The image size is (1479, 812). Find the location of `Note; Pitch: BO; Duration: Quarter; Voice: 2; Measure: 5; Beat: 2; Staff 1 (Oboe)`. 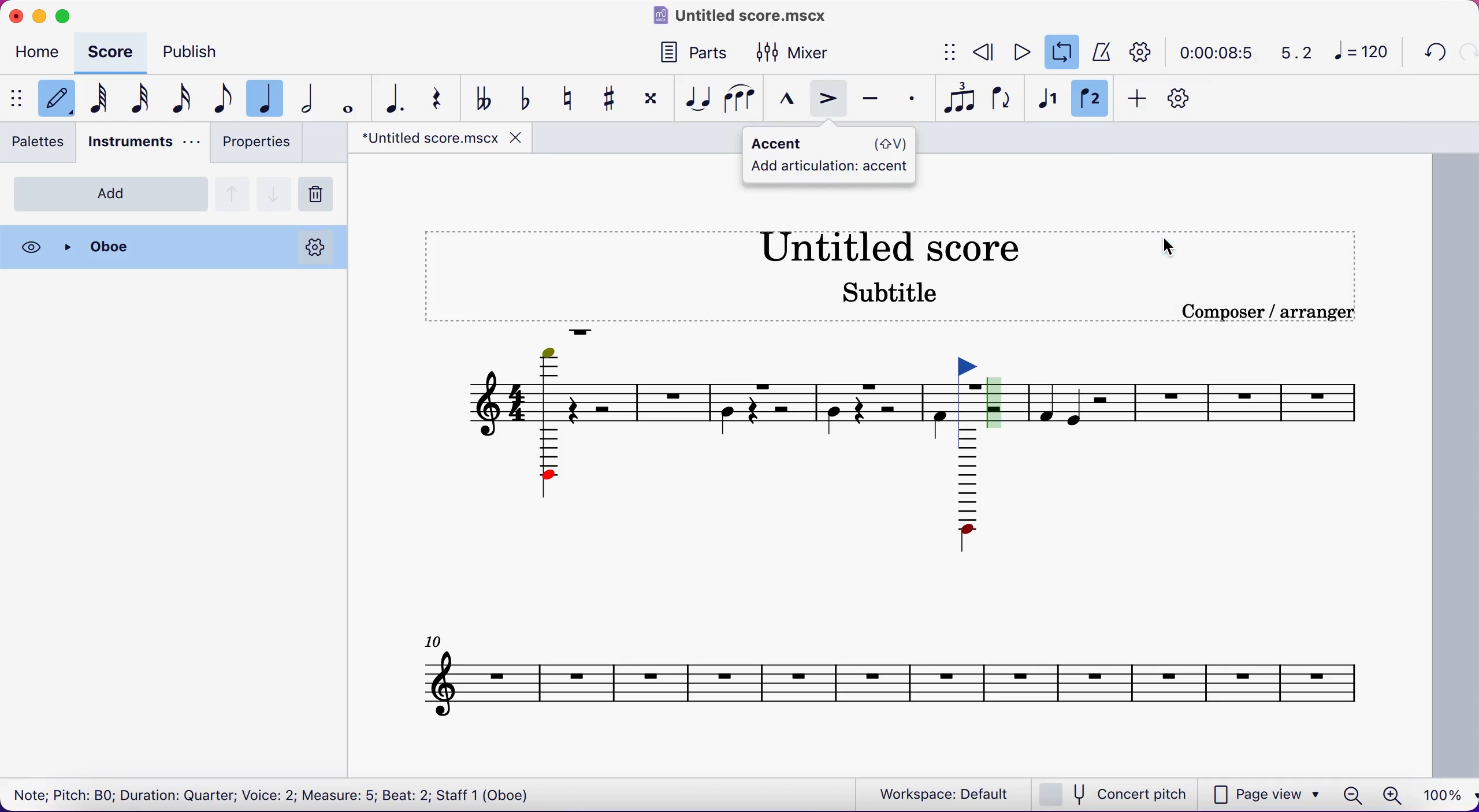

Note; Pitch: BO; Duration: Quarter; Voice: 2; Measure: 5; Beat: 2; Staff 1 (Oboe) is located at coordinates (274, 792).